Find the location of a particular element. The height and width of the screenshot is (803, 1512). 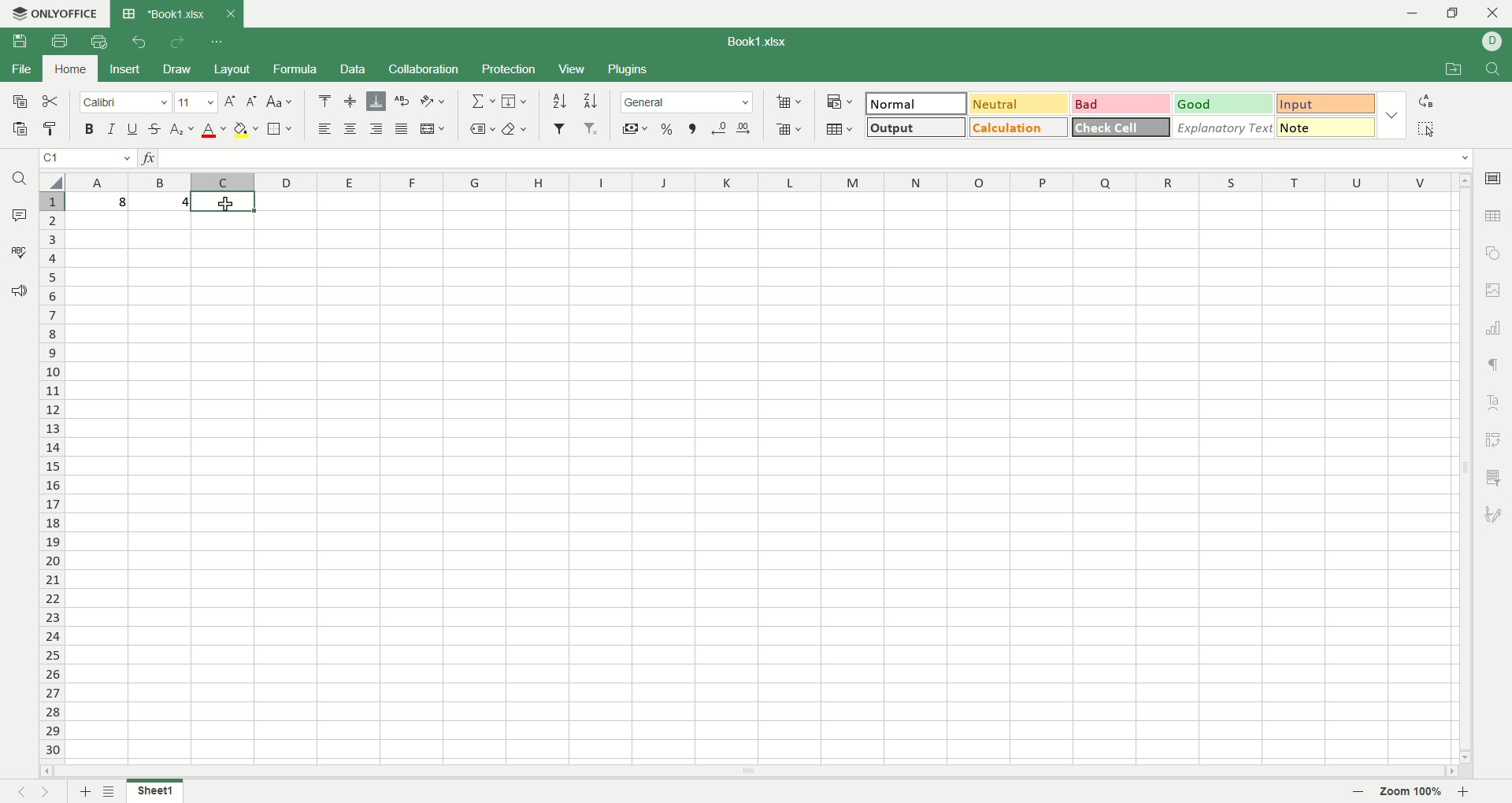

zoom in is located at coordinates (1466, 792).